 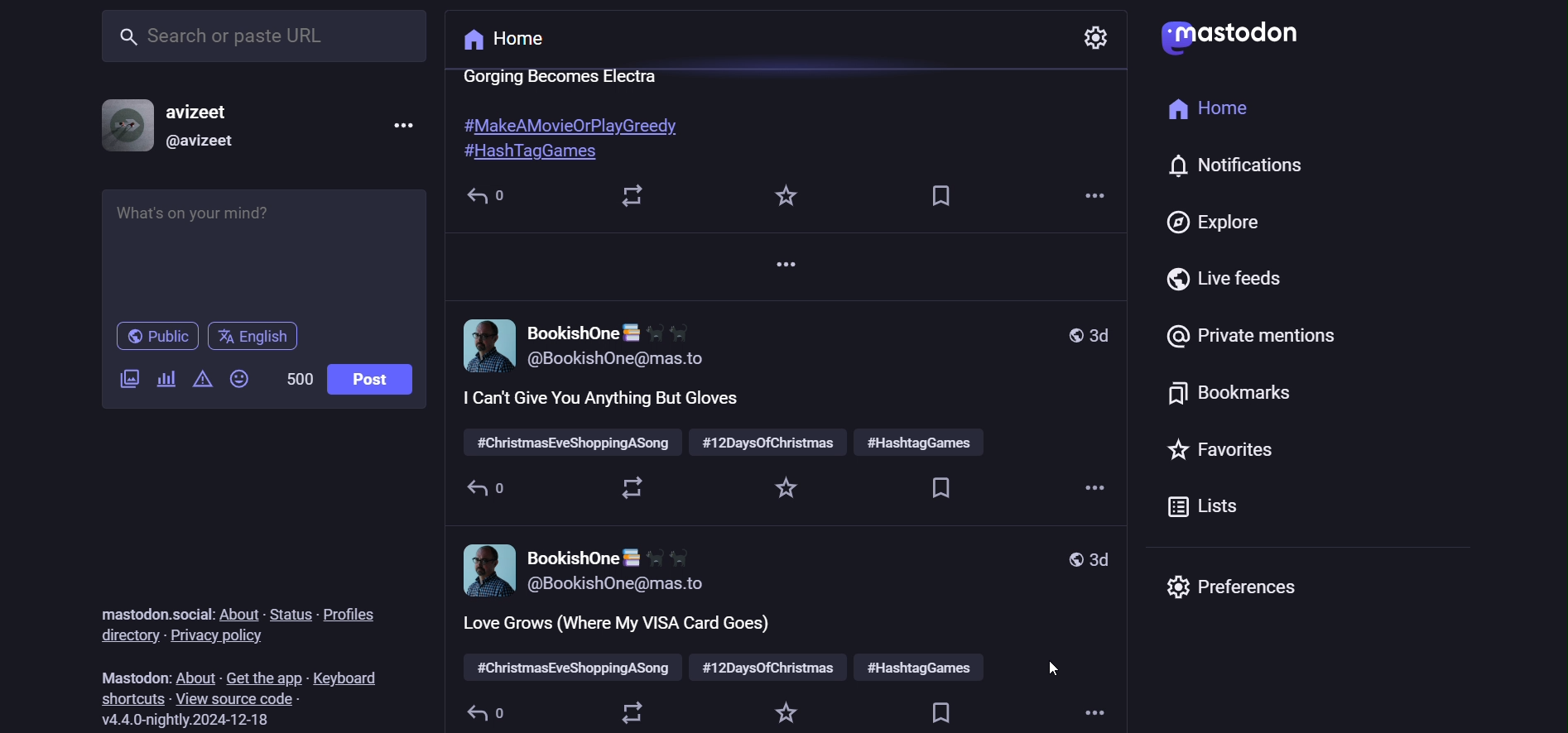 What do you see at coordinates (609, 329) in the screenshot?
I see `BookishOne &` at bounding box center [609, 329].